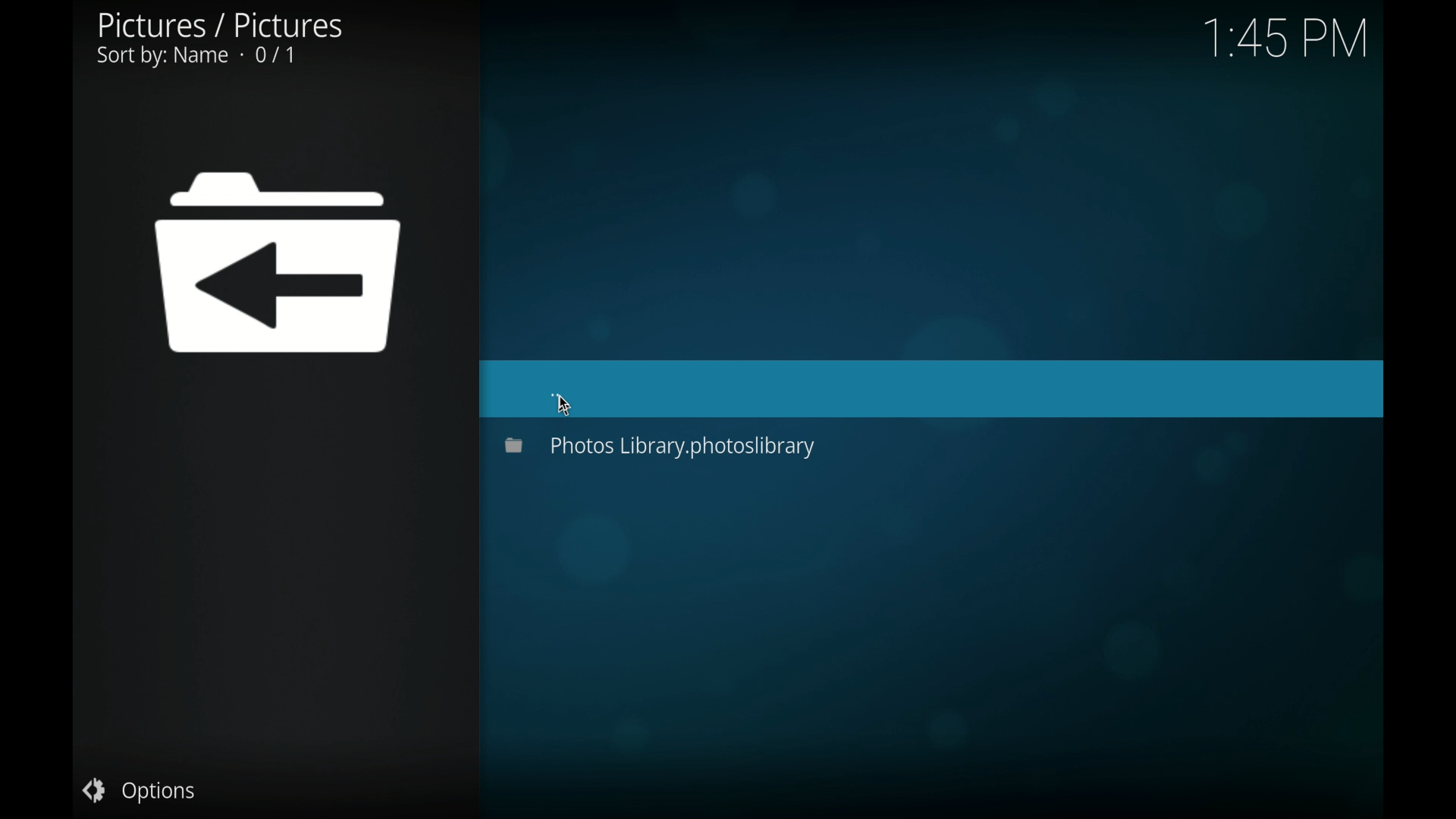 This screenshot has width=1456, height=819. I want to click on cursor, so click(563, 407).